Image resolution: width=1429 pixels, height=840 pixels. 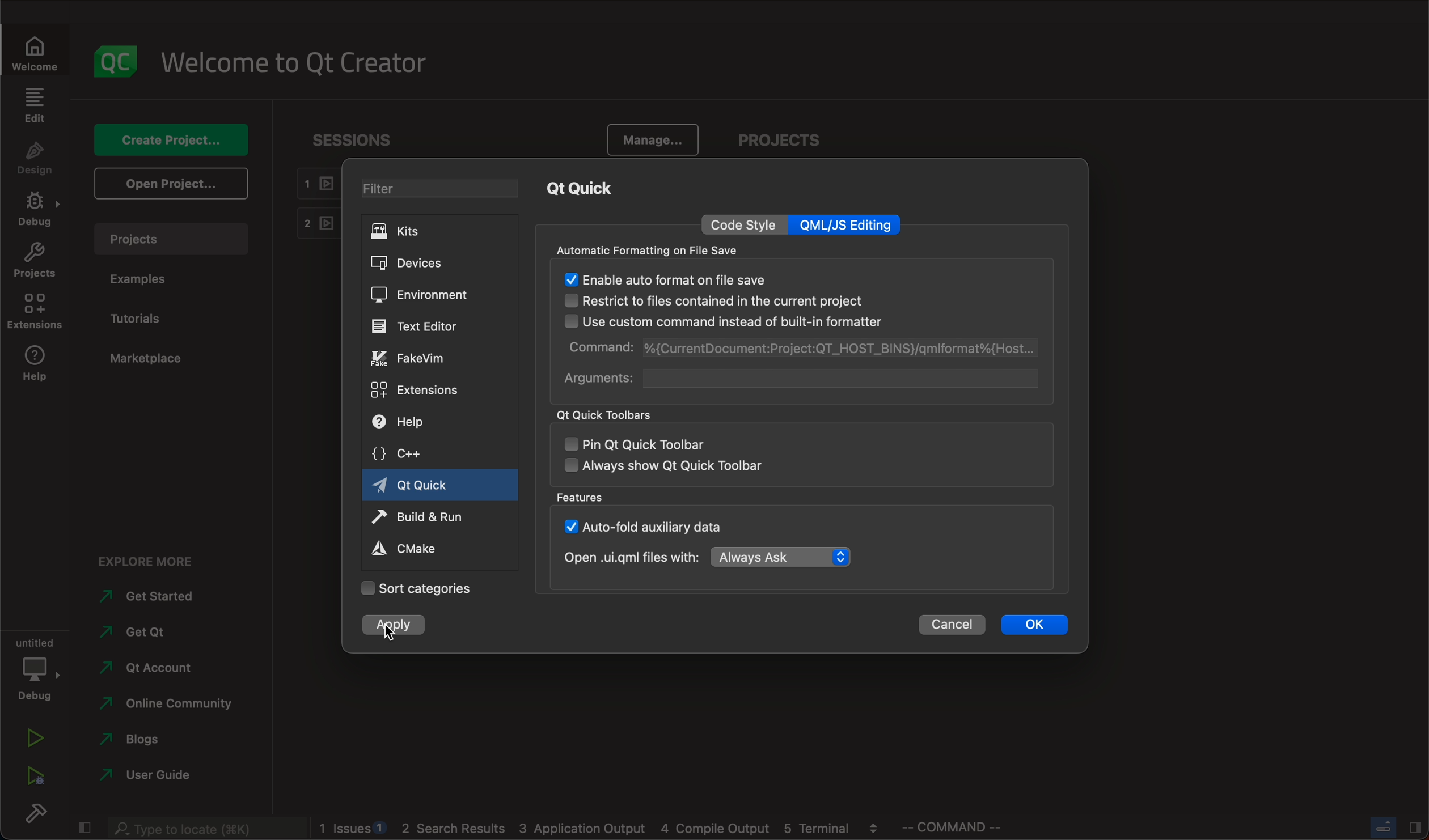 I want to click on cmake, so click(x=415, y=550).